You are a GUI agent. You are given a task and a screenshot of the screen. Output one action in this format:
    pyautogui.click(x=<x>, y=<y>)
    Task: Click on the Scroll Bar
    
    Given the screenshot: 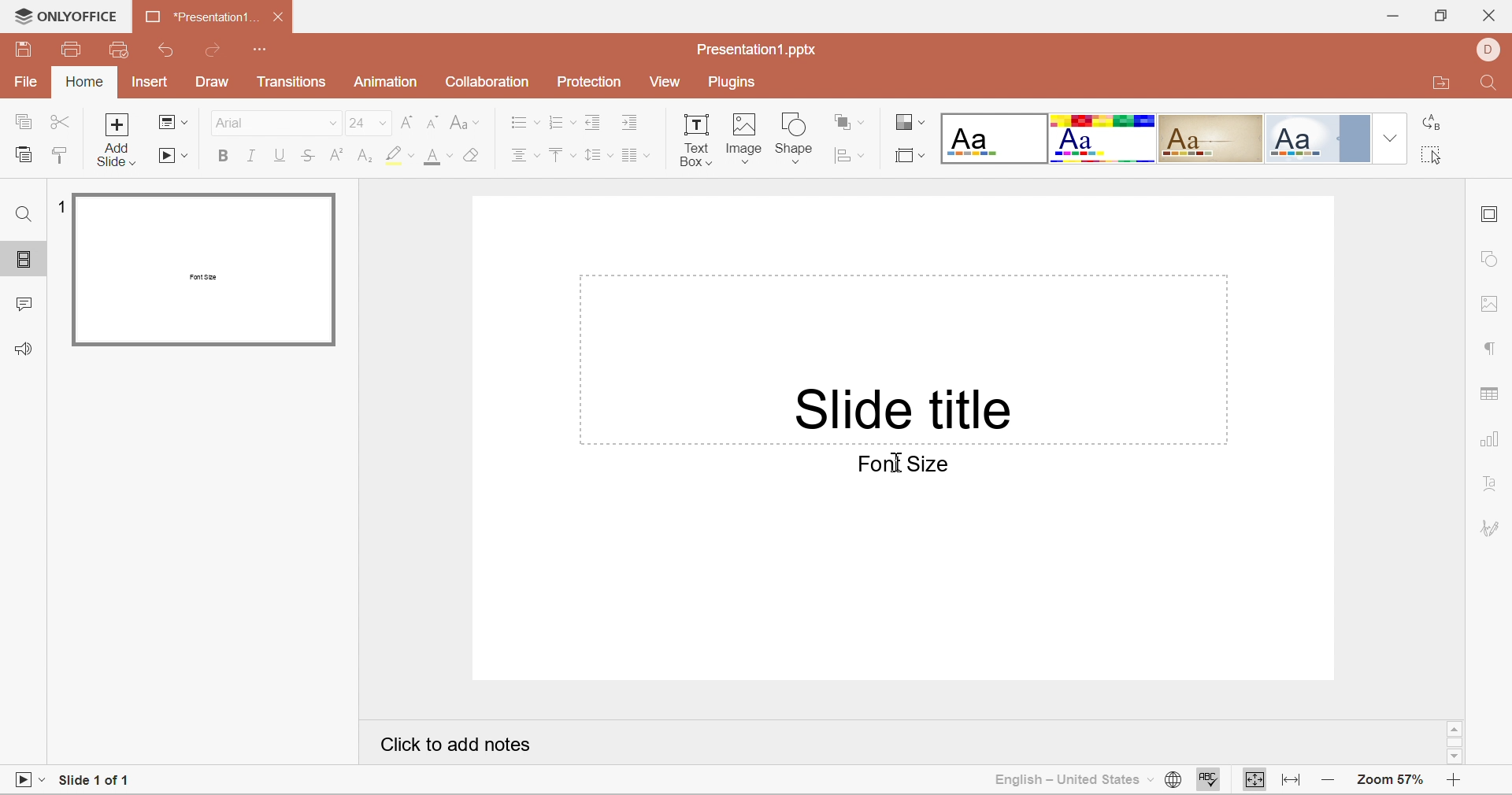 What is the action you would take?
    pyautogui.click(x=1454, y=741)
    